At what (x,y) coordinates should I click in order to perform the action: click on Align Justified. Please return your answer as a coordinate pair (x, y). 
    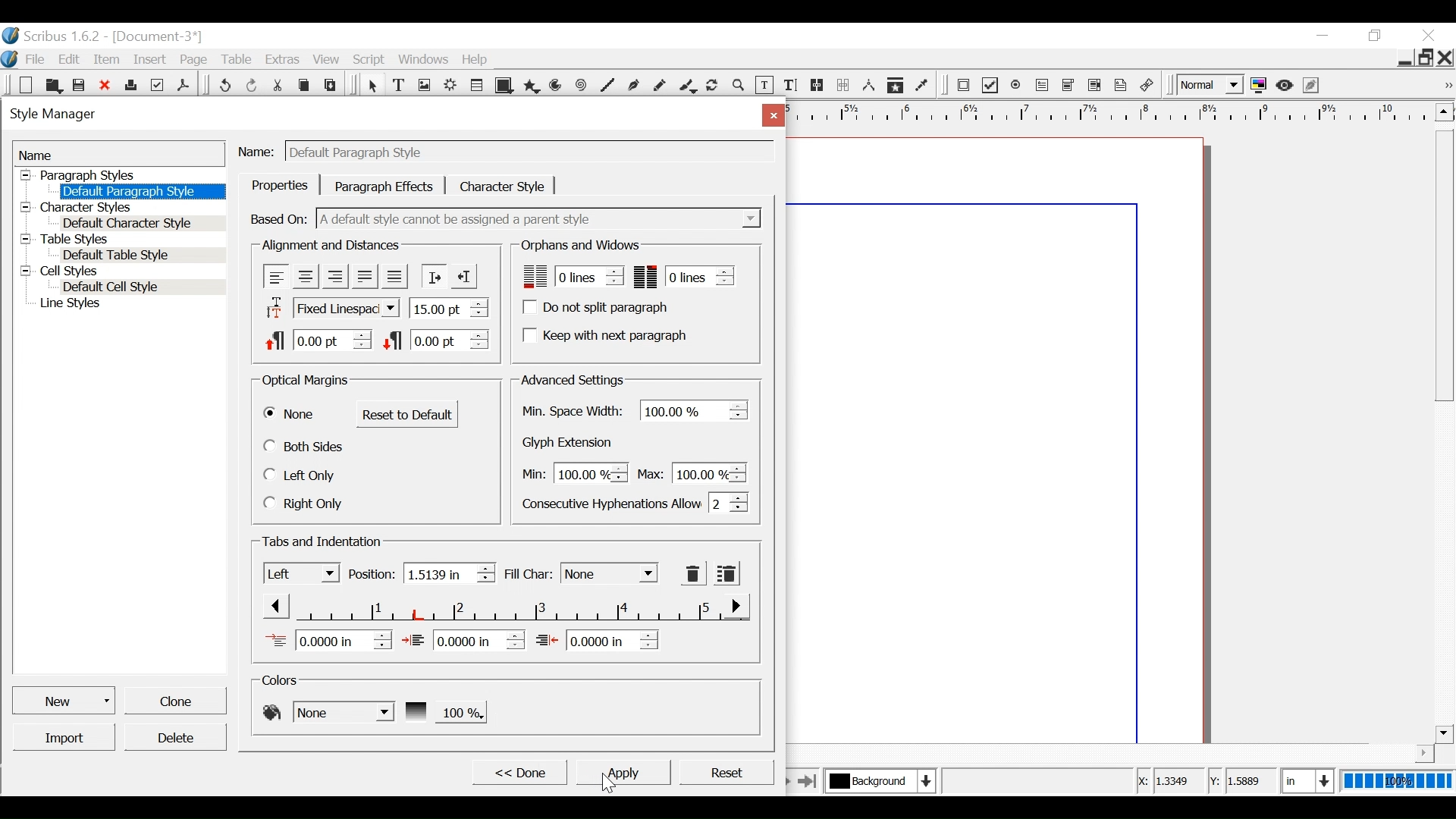
    Looking at the image, I should click on (363, 276).